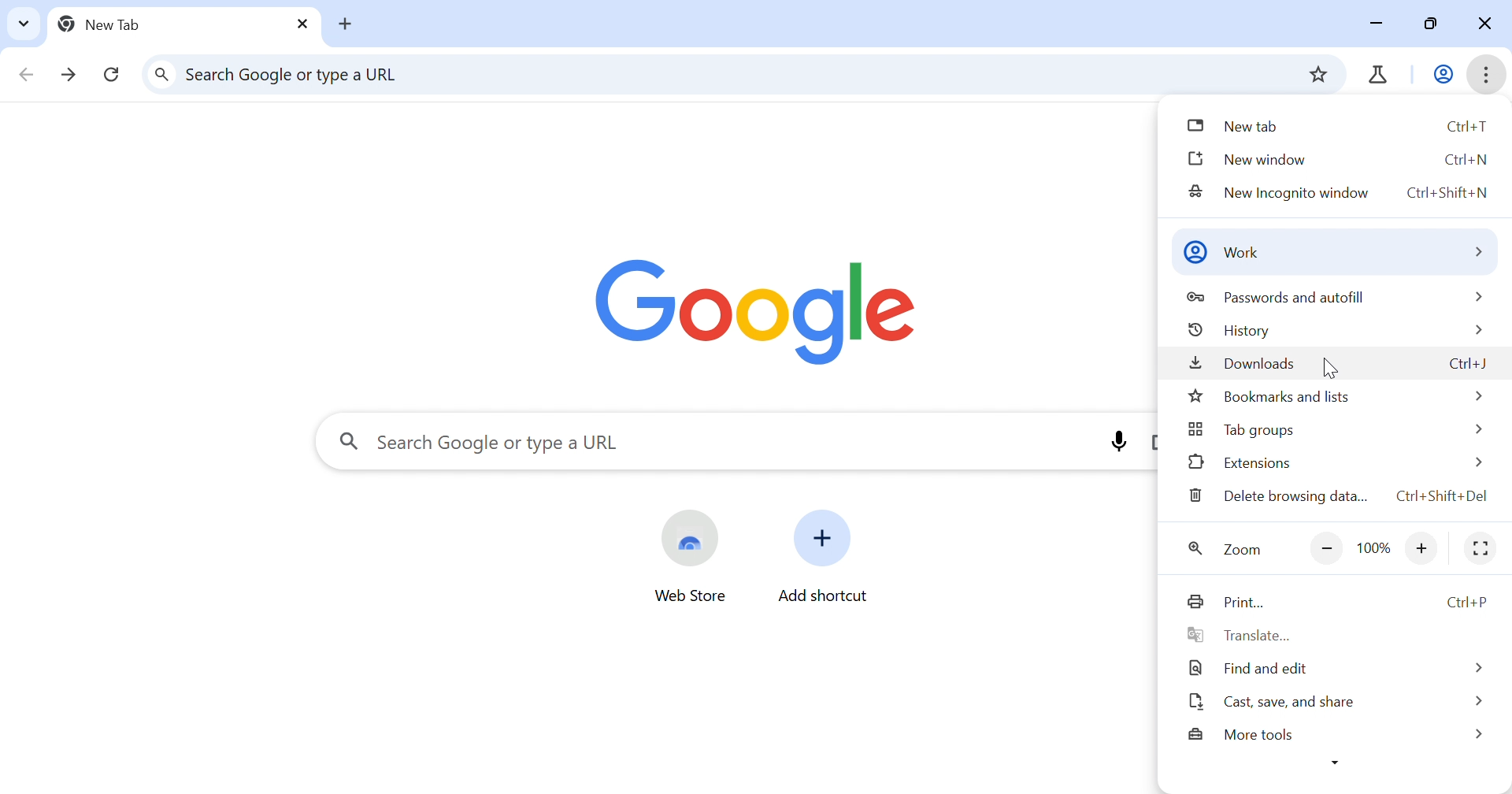 The height and width of the screenshot is (794, 1512). Describe the element at coordinates (1466, 366) in the screenshot. I see `Ctrl+J` at that location.